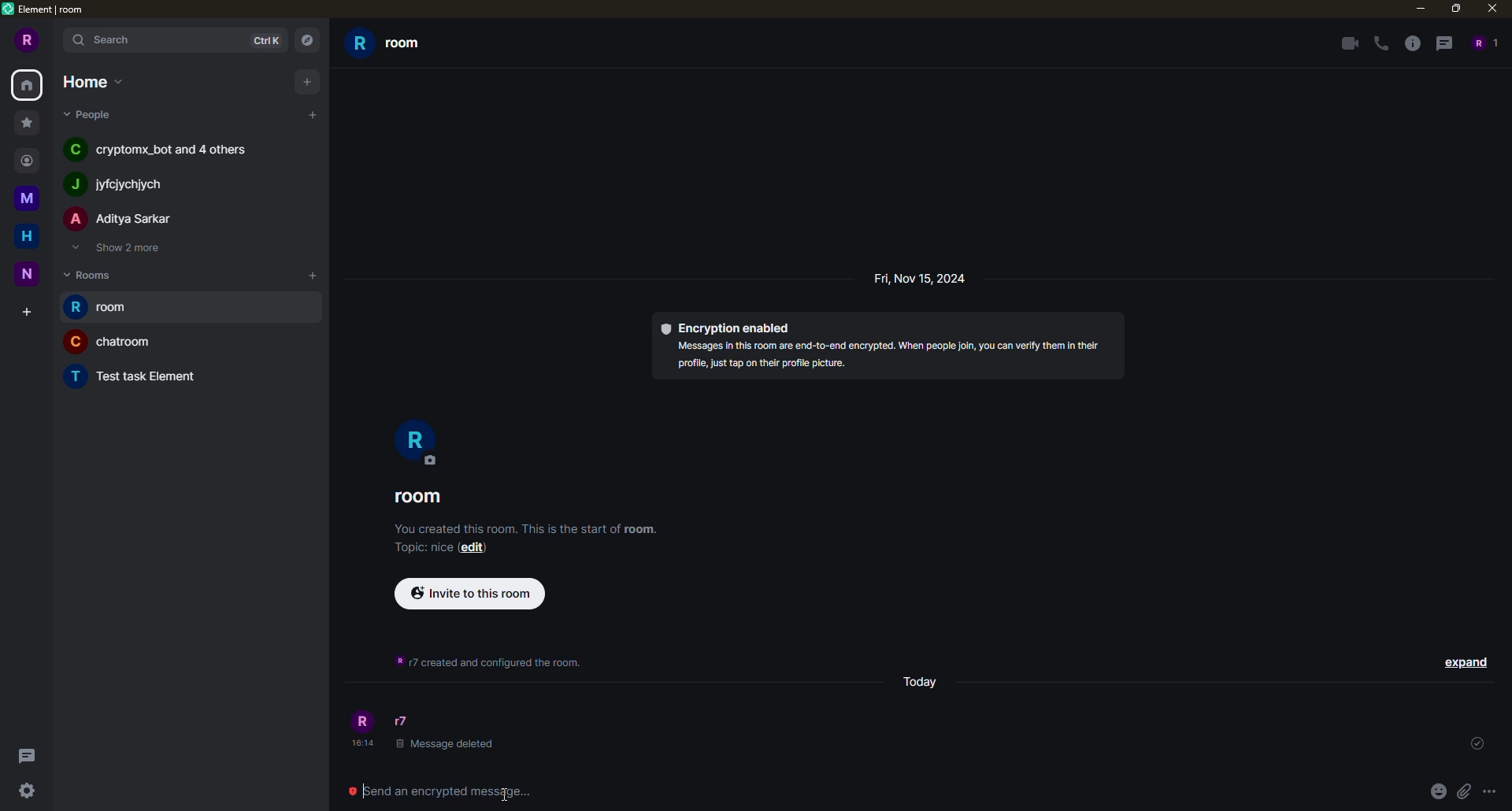 The image size is (1512, 811). What do you see at coordinates (24, 235) in the screenshot?
I see `home` at bounding box center [24, 235].